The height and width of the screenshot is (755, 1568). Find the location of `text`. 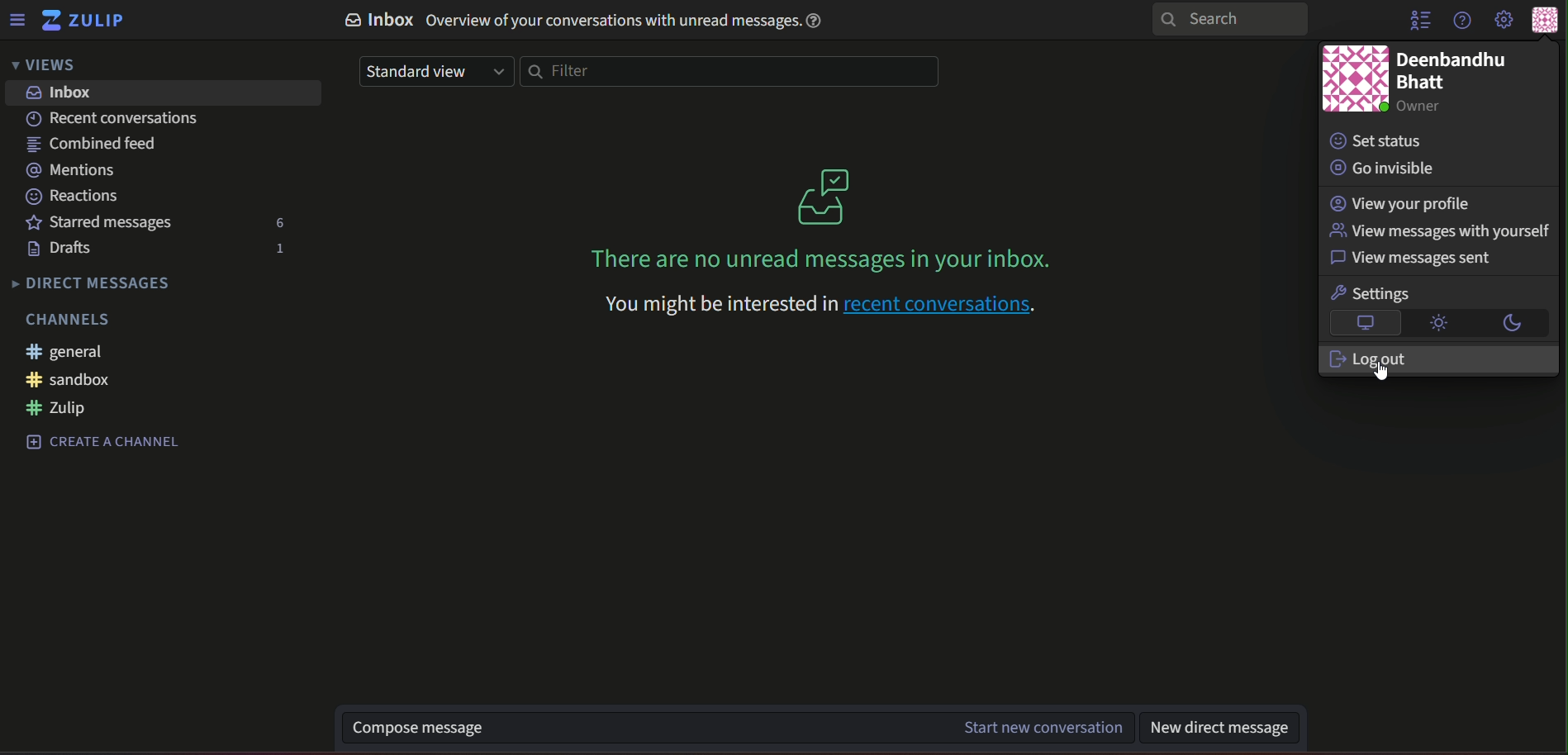

text is located at coordinates (1370, 290).